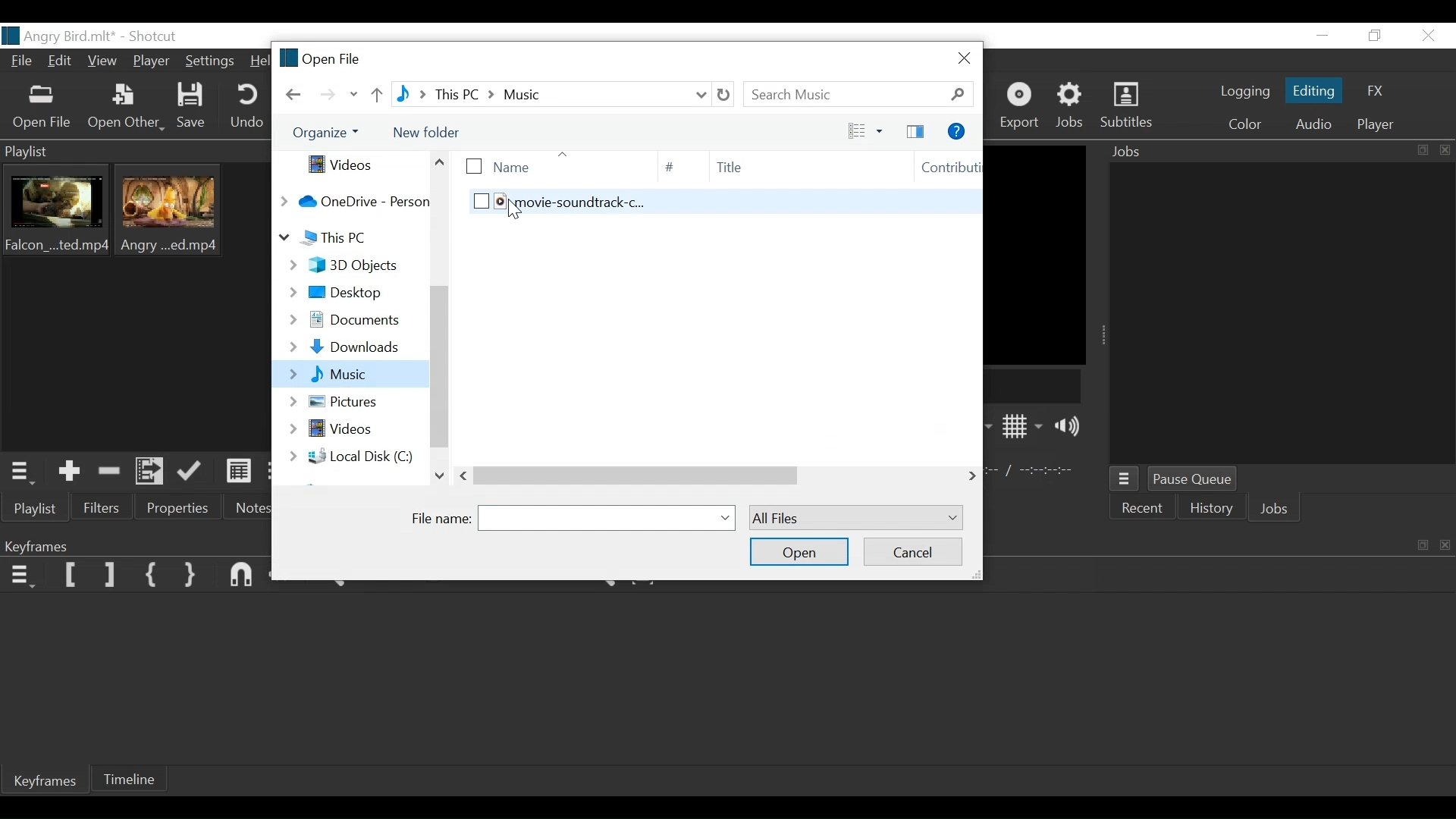 Image resolution: width=1456 pixels, height=819 pixels. Describe the element at coordinates (151, 573) in the screenshot. I see `Set First Simple Keyframe` at that location.